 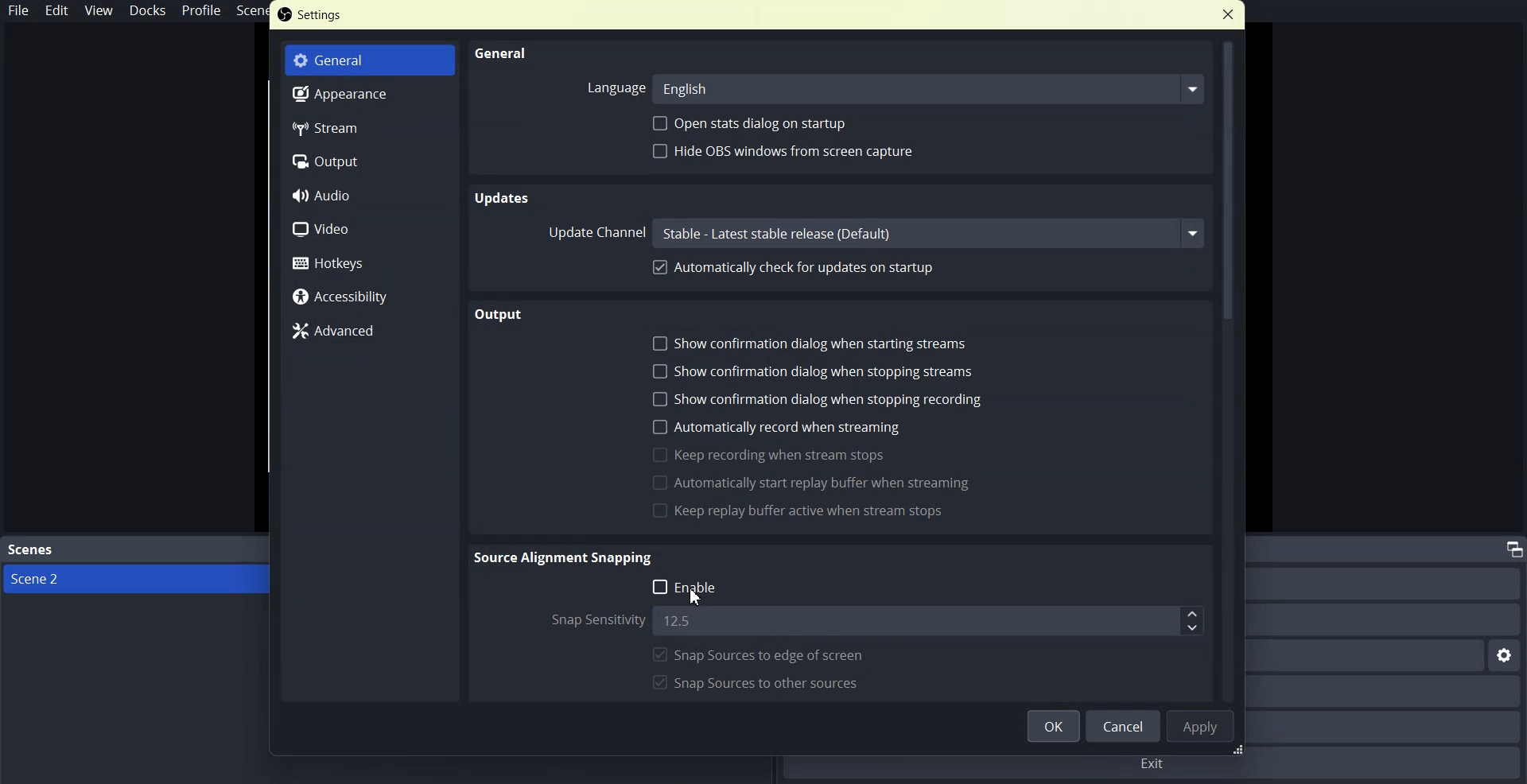 What do you see at coordinates (1123, 726) in the screenshot?
I see `cancel` at bounding box center [1123, 726].